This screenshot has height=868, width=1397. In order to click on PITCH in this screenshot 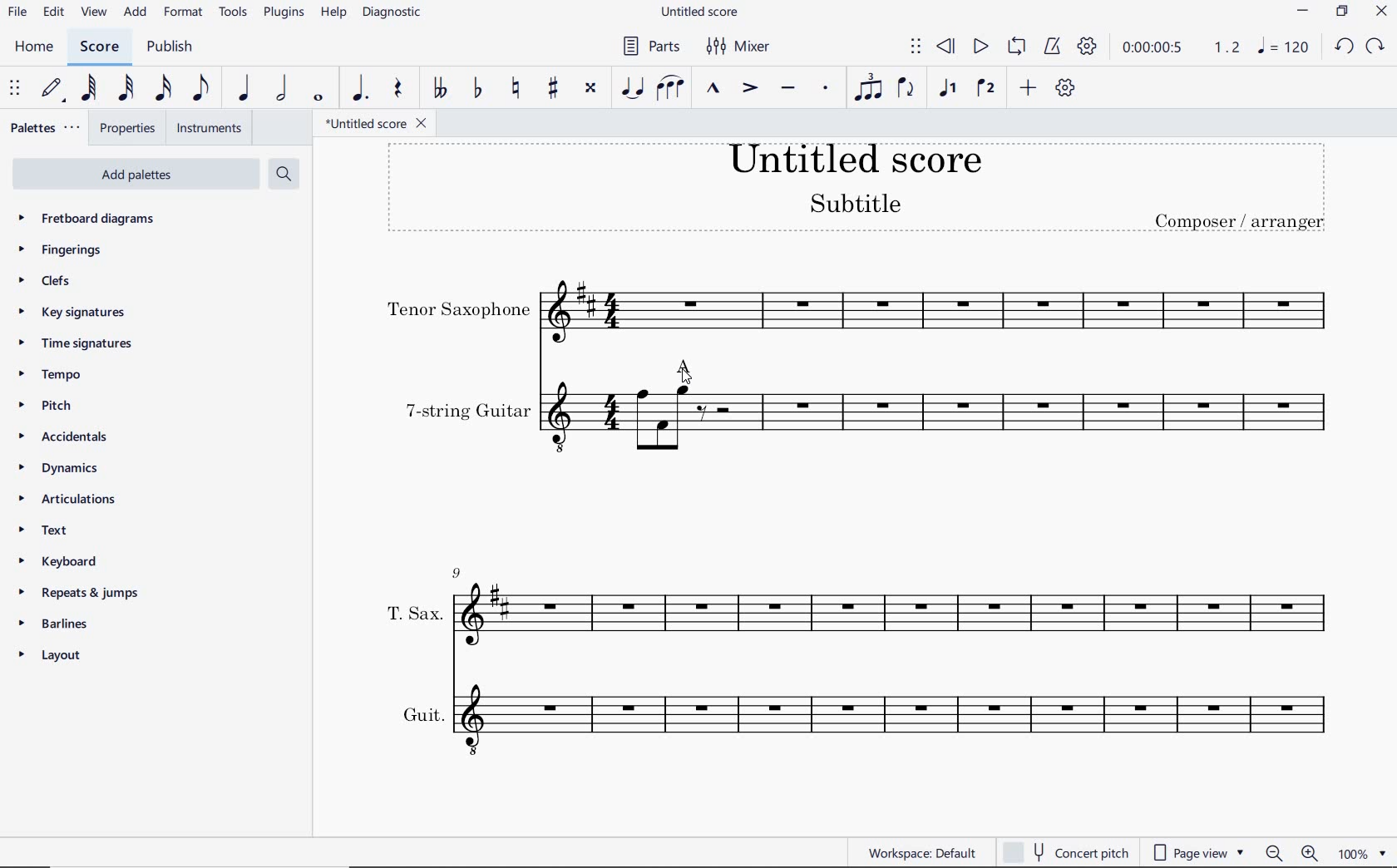, I will do `click(53, 404)`.